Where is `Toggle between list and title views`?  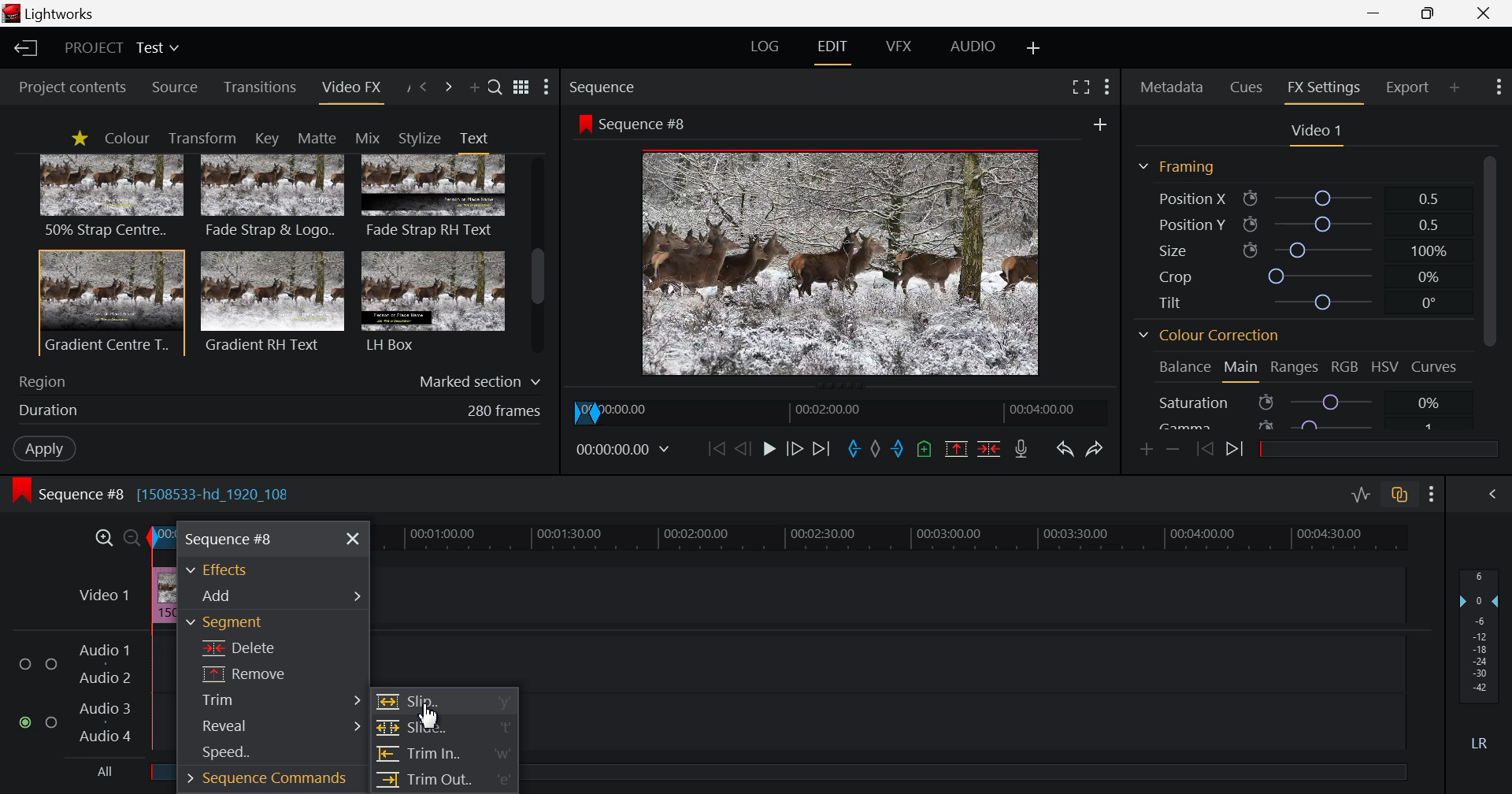
Toggle between list and title views is located at coordinates (523, 87).